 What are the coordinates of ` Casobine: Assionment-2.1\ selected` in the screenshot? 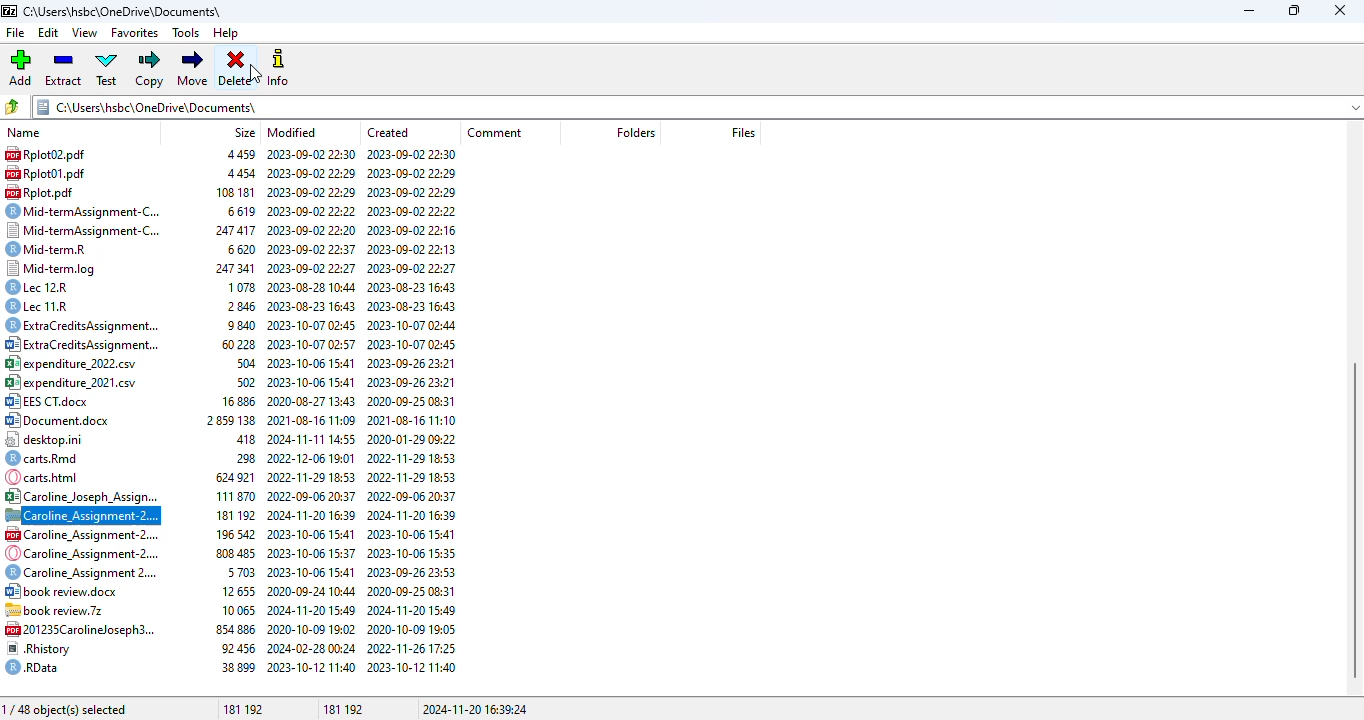 It's located at (83, 516).